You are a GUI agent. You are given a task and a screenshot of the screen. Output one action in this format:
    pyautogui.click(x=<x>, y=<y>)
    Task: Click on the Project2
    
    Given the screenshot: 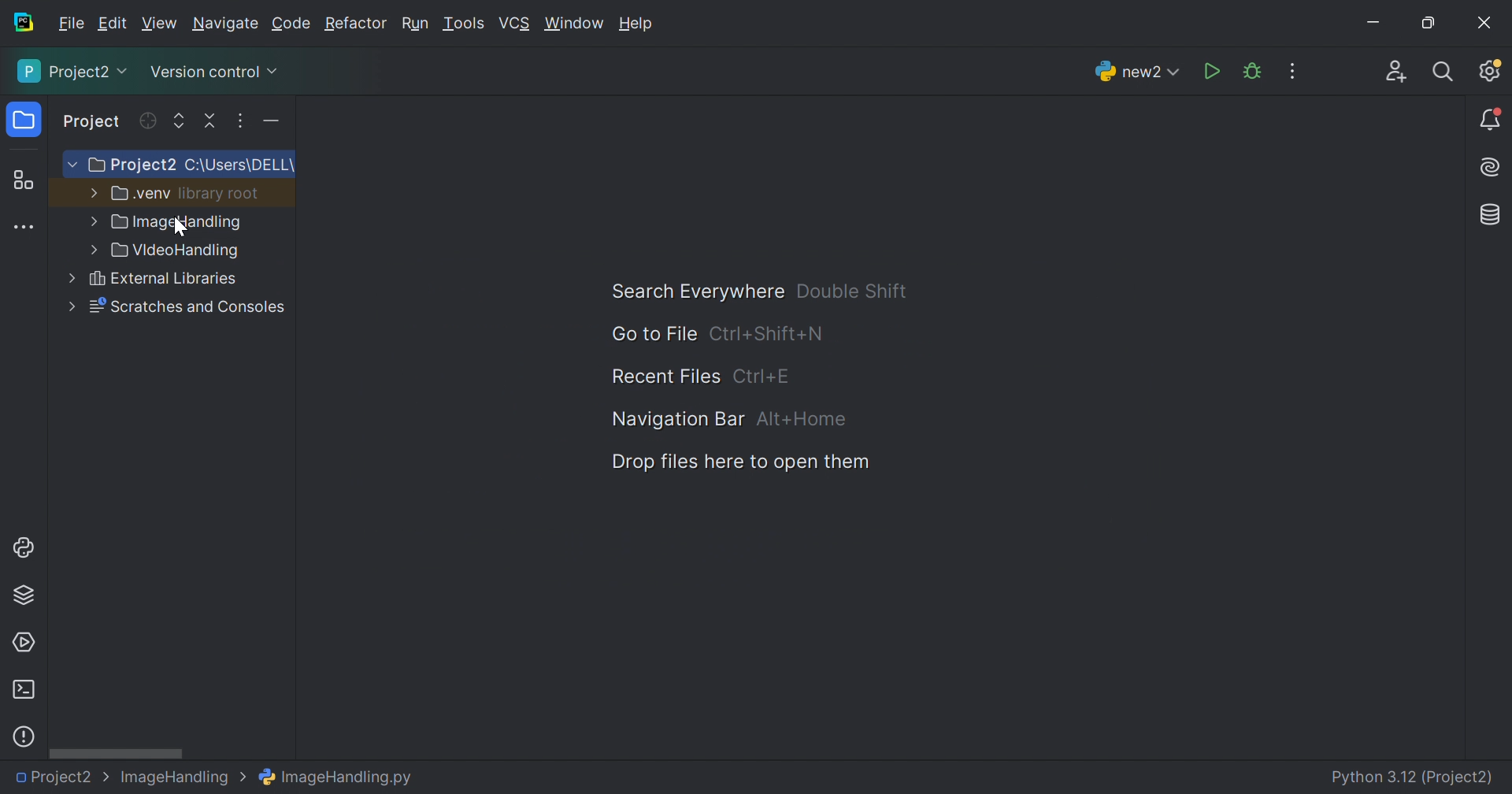 What is the action you would take?
    pyautogui.click(x=131, y=165)
    